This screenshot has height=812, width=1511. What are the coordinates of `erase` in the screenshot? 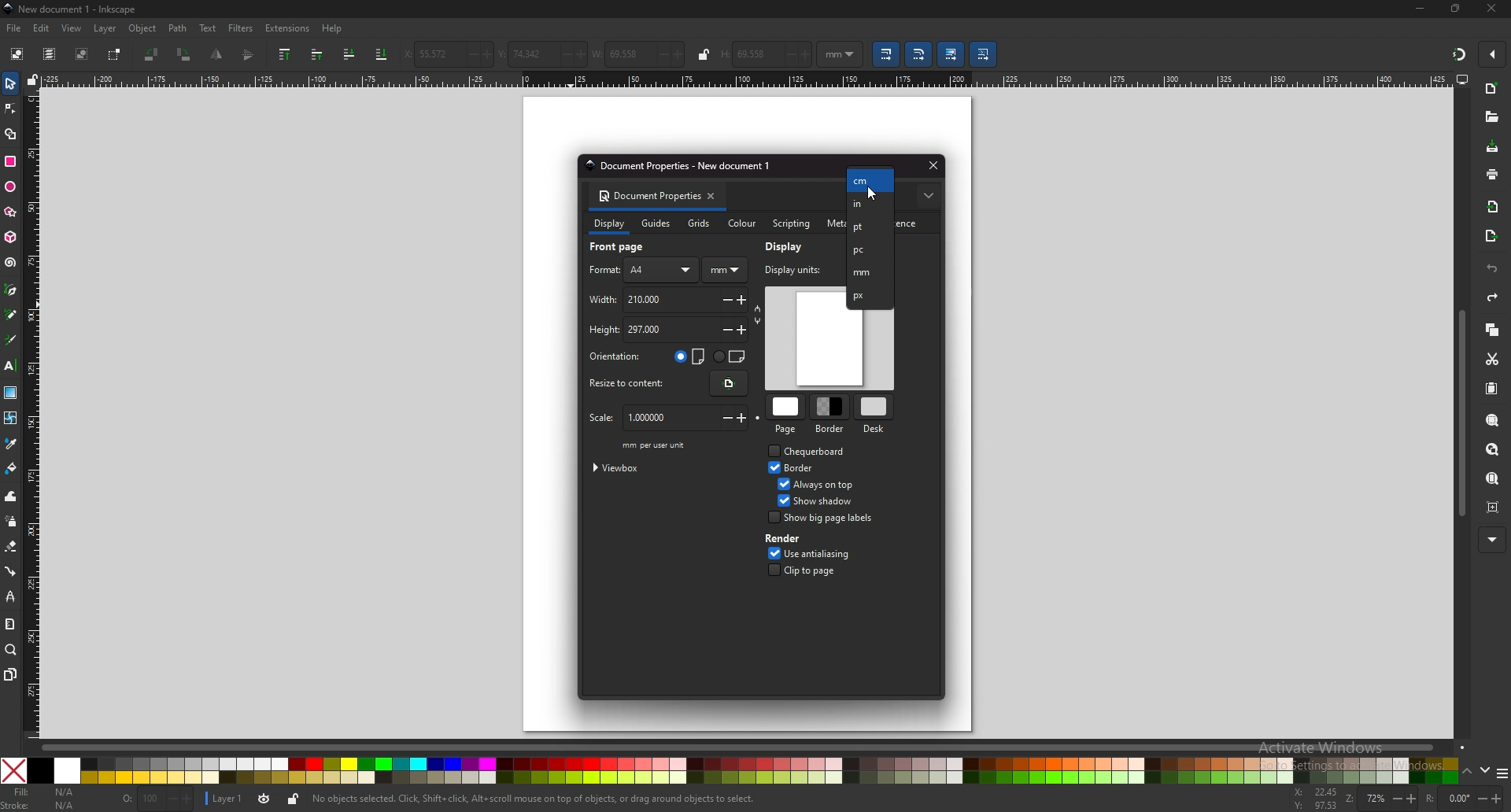 It's located at (11, 545).